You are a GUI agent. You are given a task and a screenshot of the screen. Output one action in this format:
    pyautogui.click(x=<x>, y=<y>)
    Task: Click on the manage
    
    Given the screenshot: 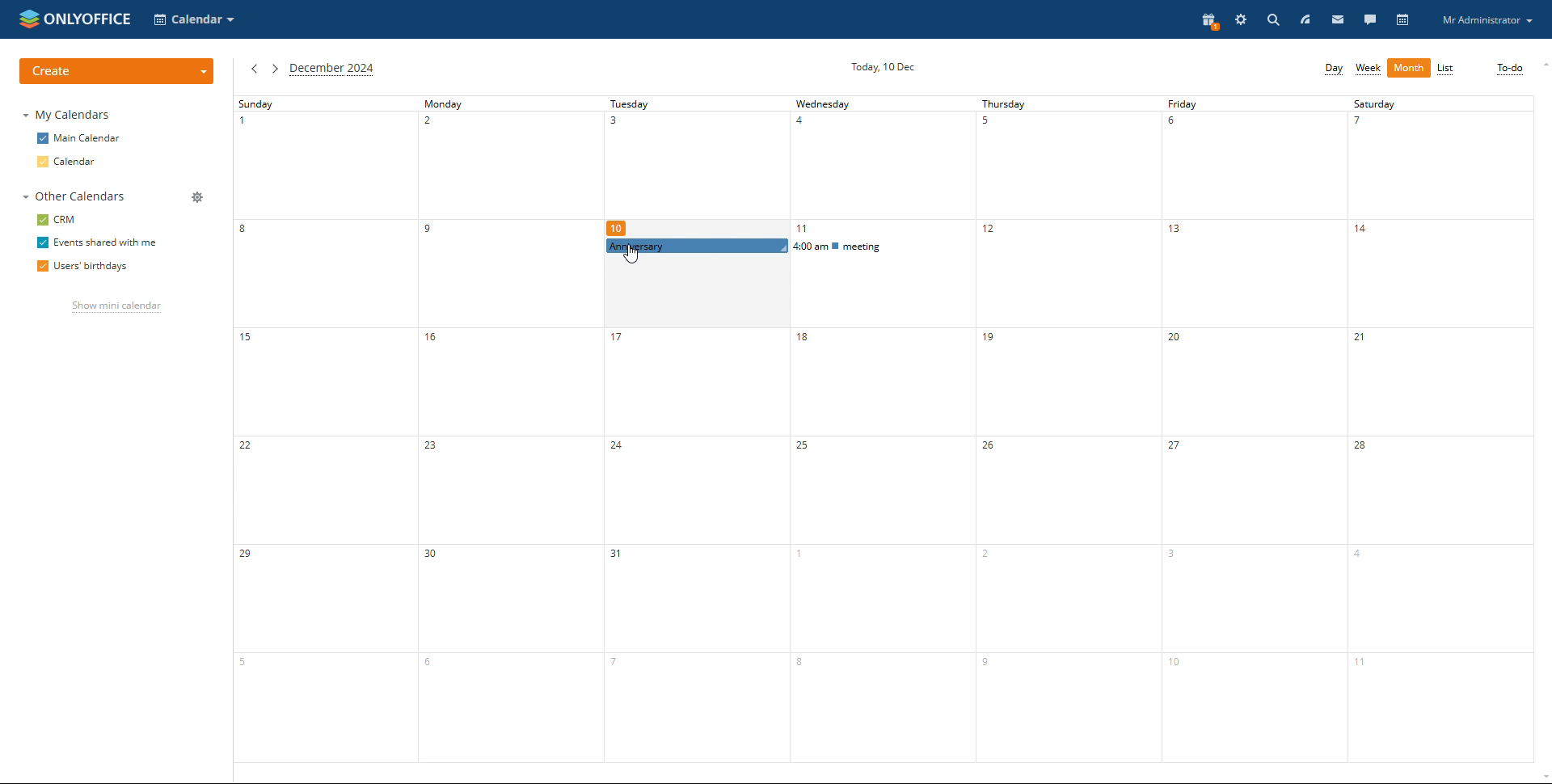 What is the action you would take?
    pyautogui.click(x=196, y=197)
    